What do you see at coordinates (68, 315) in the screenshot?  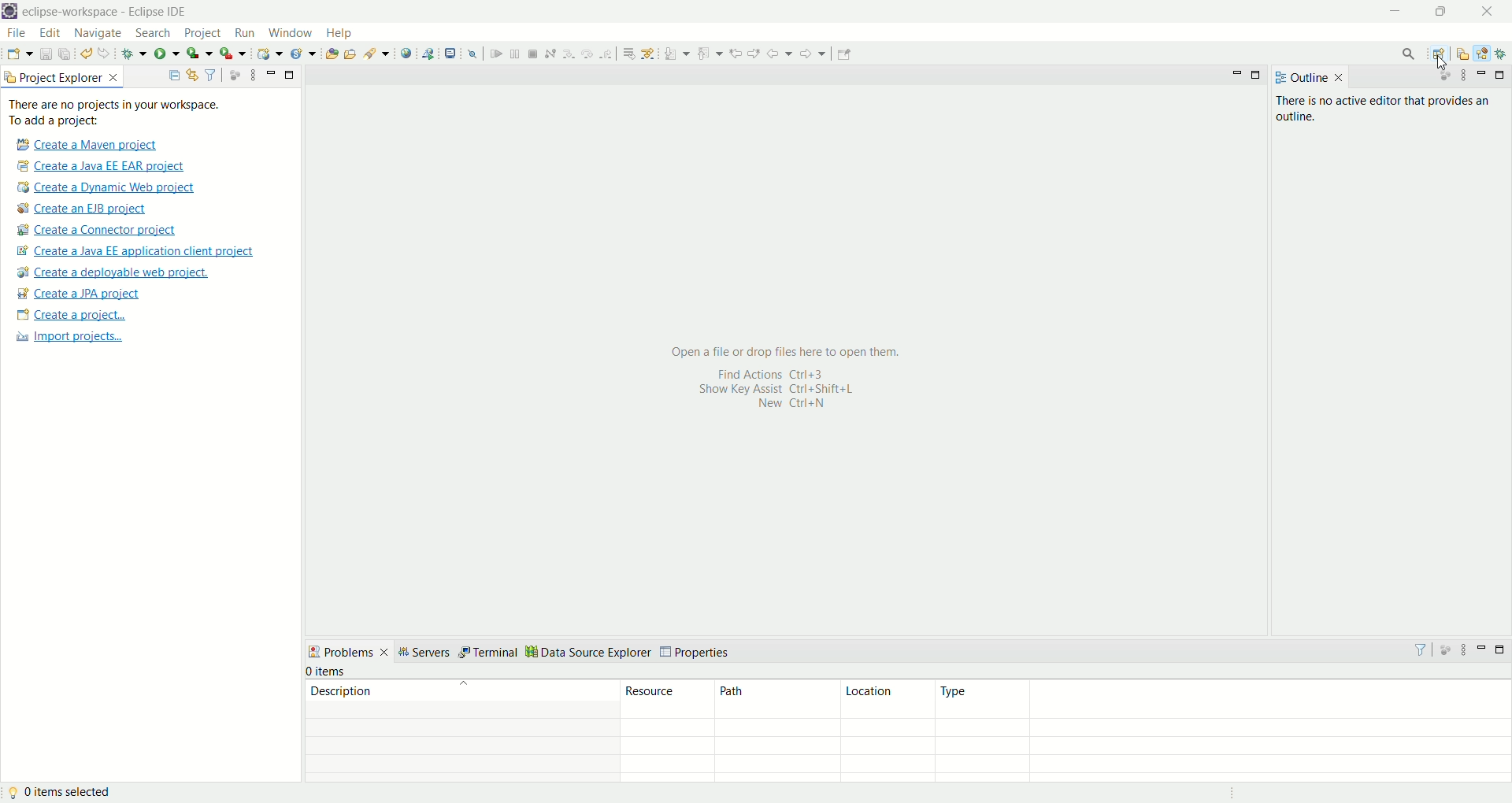 I see `create project` at bounding box center [68, 315].